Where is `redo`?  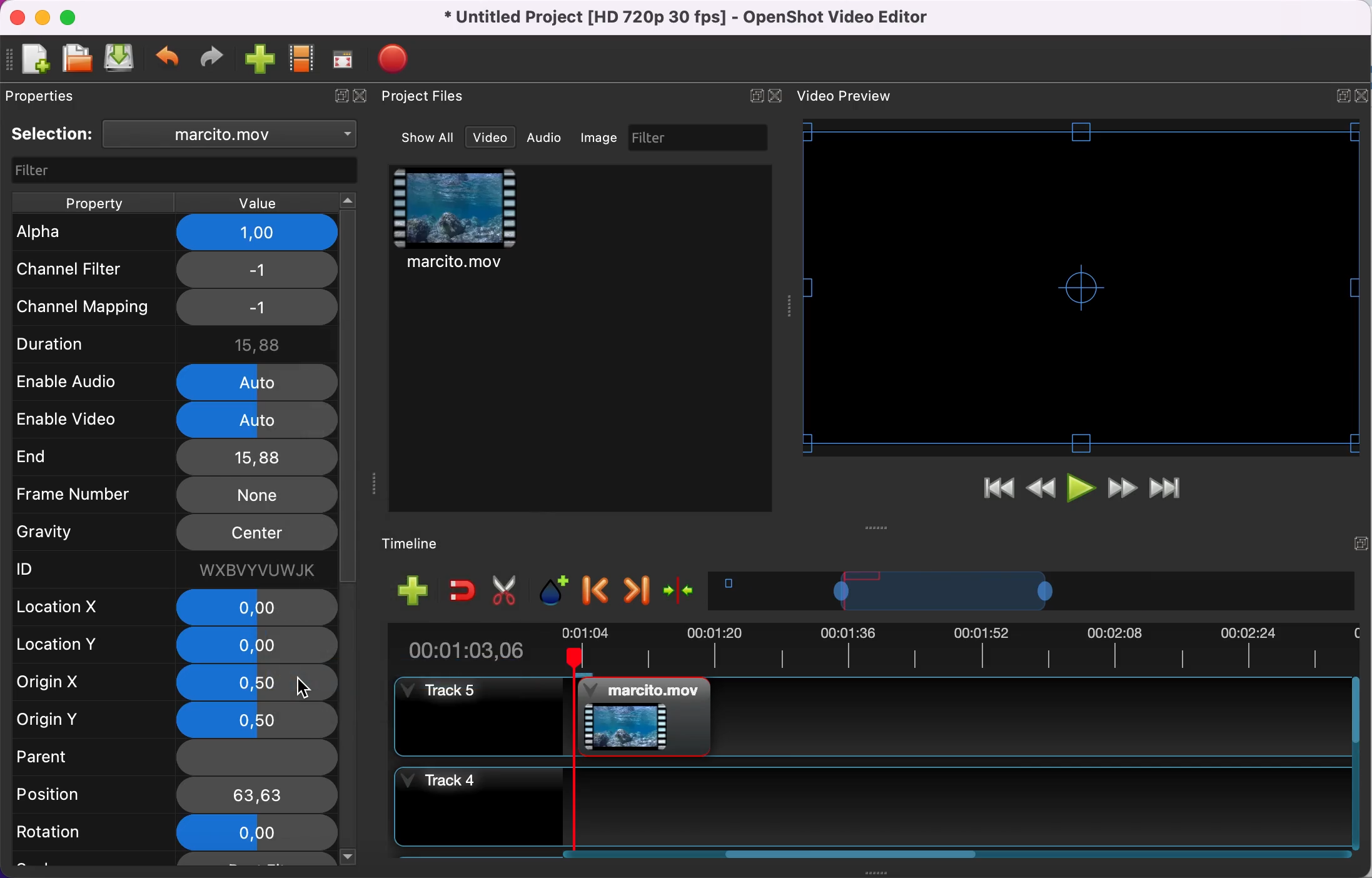
redo is located at coordinates (212, 58).